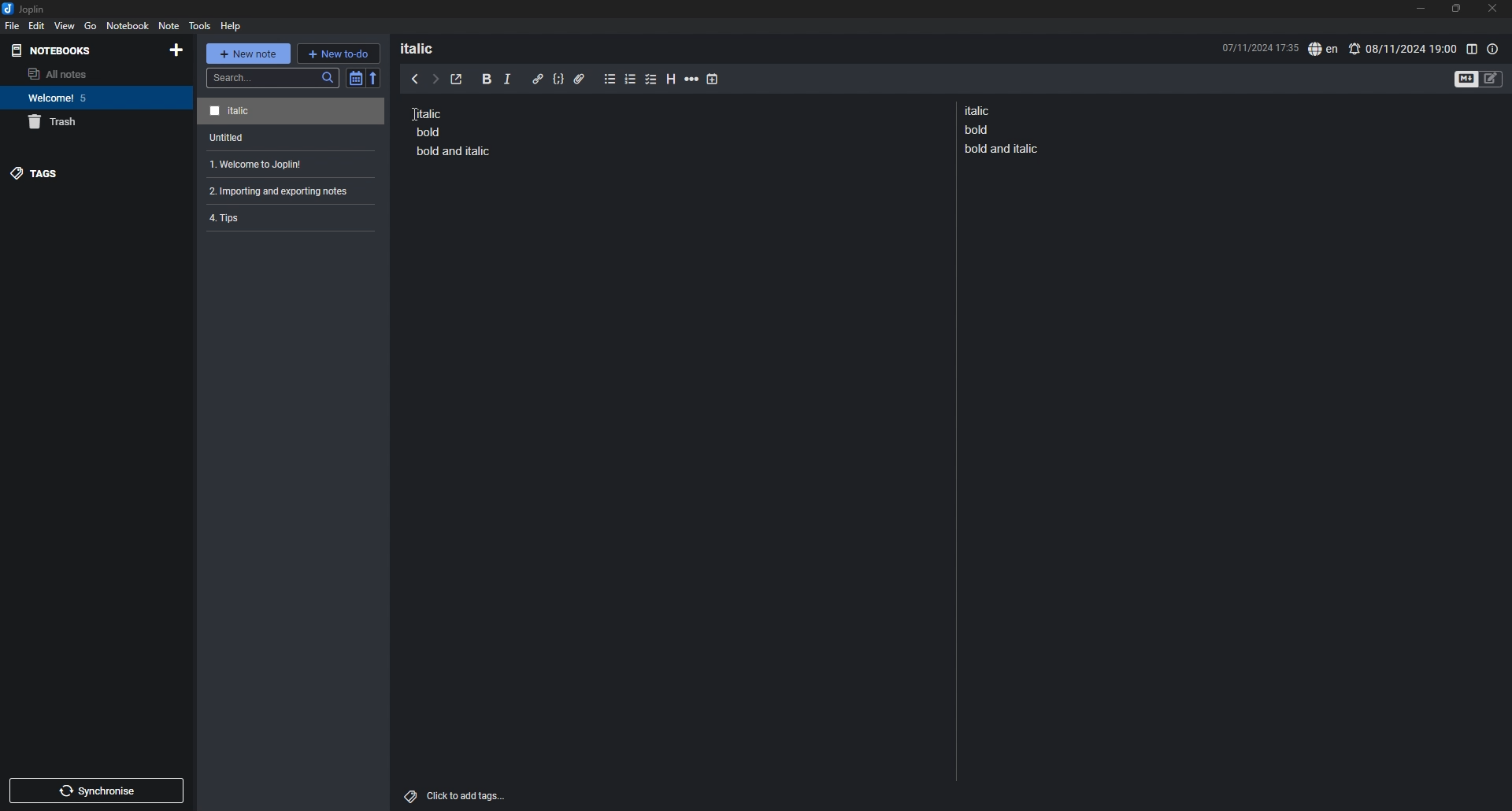 The height and width of the screenshot is (811, 1512). What do you see at coordinates (558, 80) in the screenshot?
I see `code` at bounding box center [558, 80].